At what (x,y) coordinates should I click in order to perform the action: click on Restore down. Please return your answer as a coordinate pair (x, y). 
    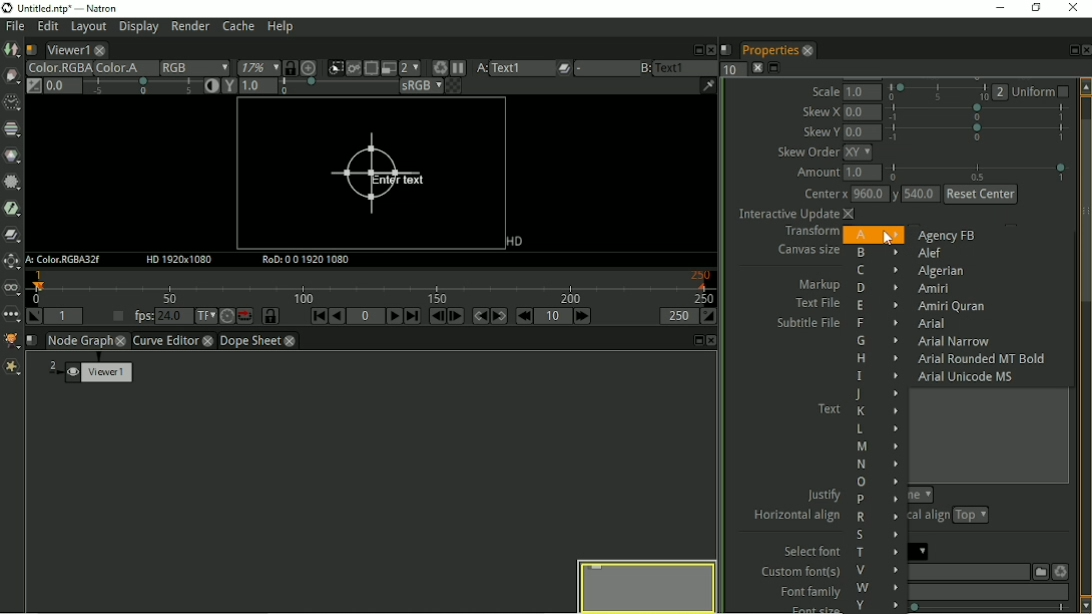
    Looking at the image, I should click on (1037, 9).